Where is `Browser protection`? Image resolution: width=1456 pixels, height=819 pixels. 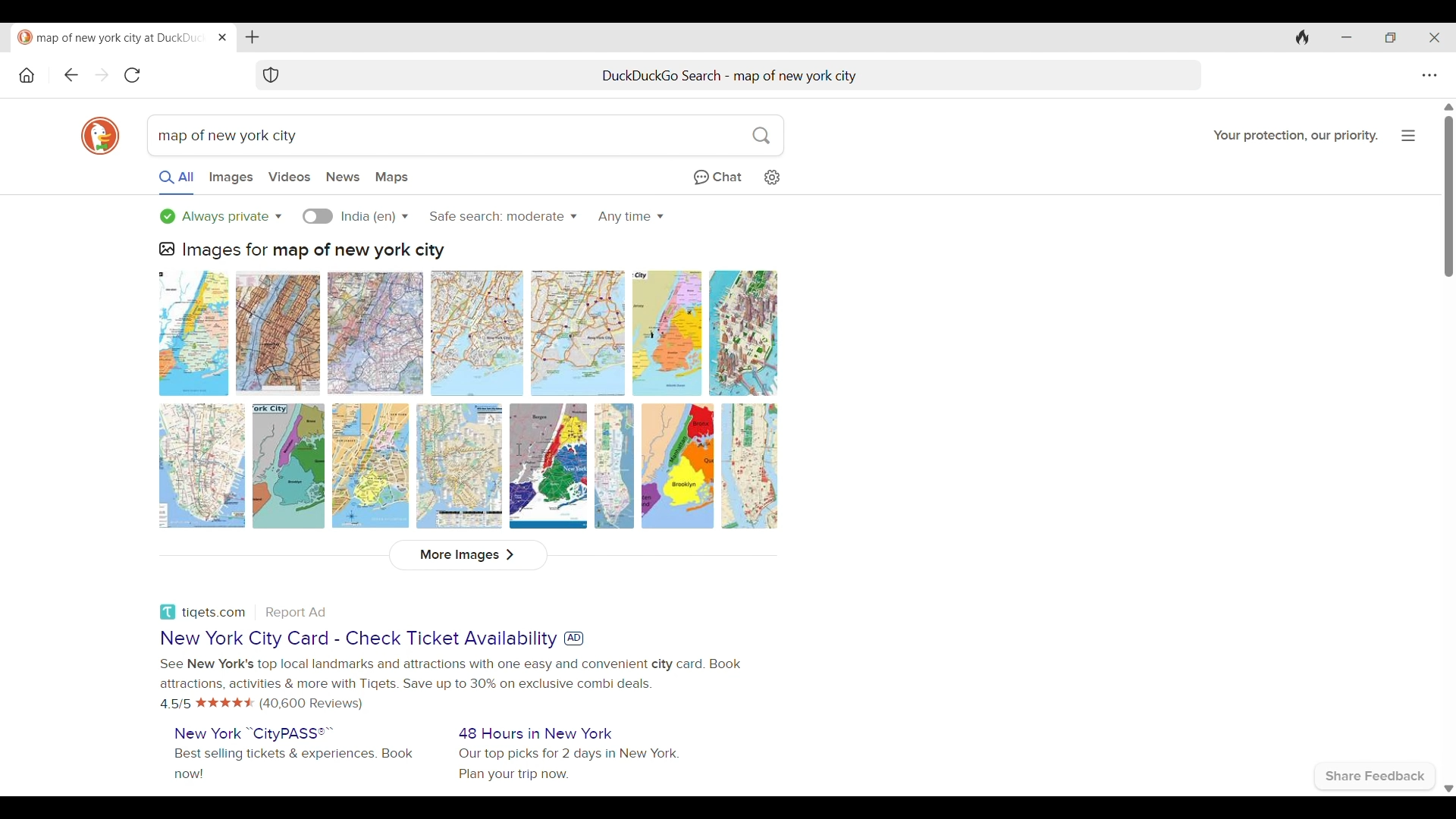
Browser protection is located at coordinates (271, 75).